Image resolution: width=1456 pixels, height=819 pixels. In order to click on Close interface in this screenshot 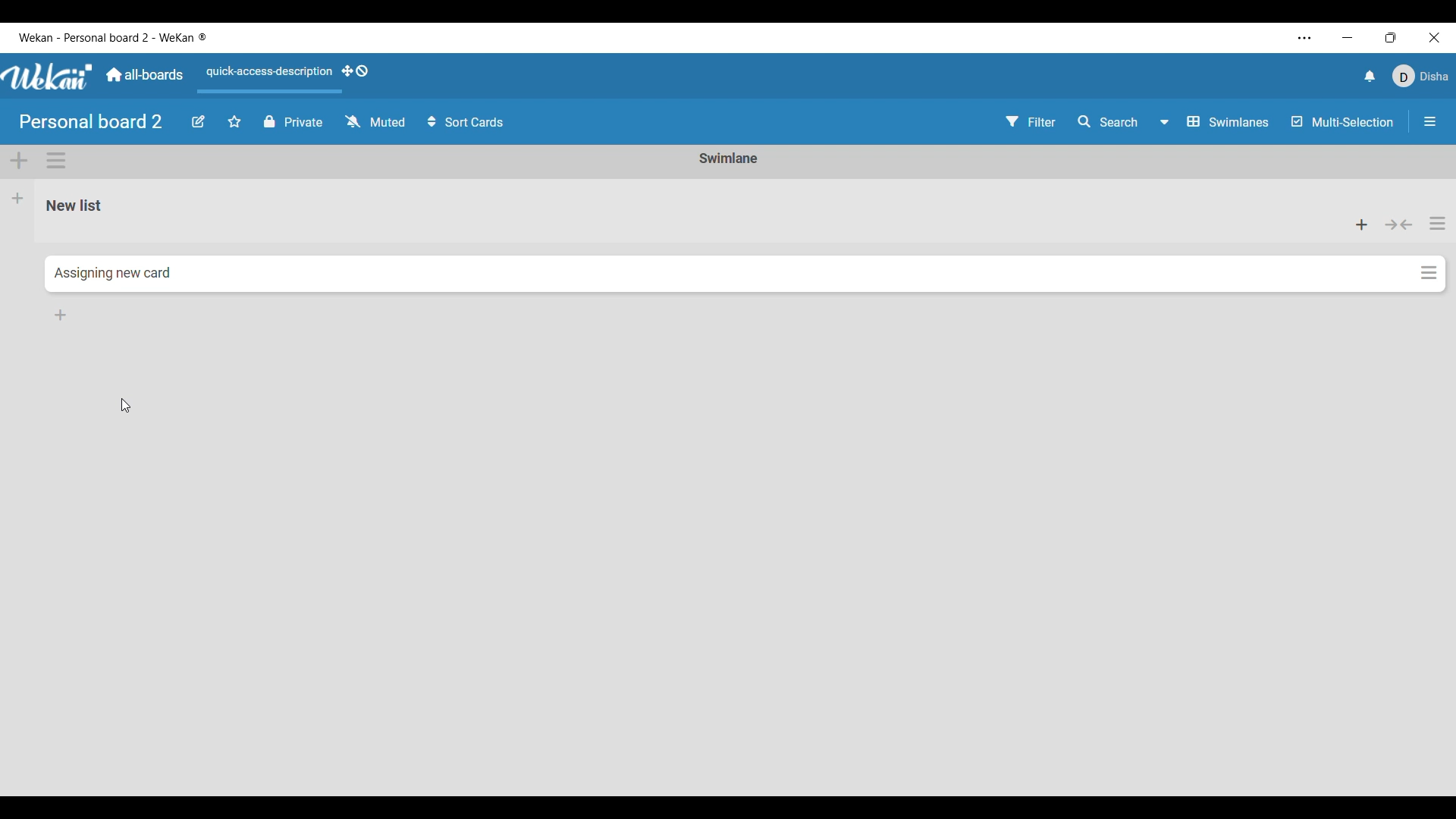, I will do `click(1434, 37)`.